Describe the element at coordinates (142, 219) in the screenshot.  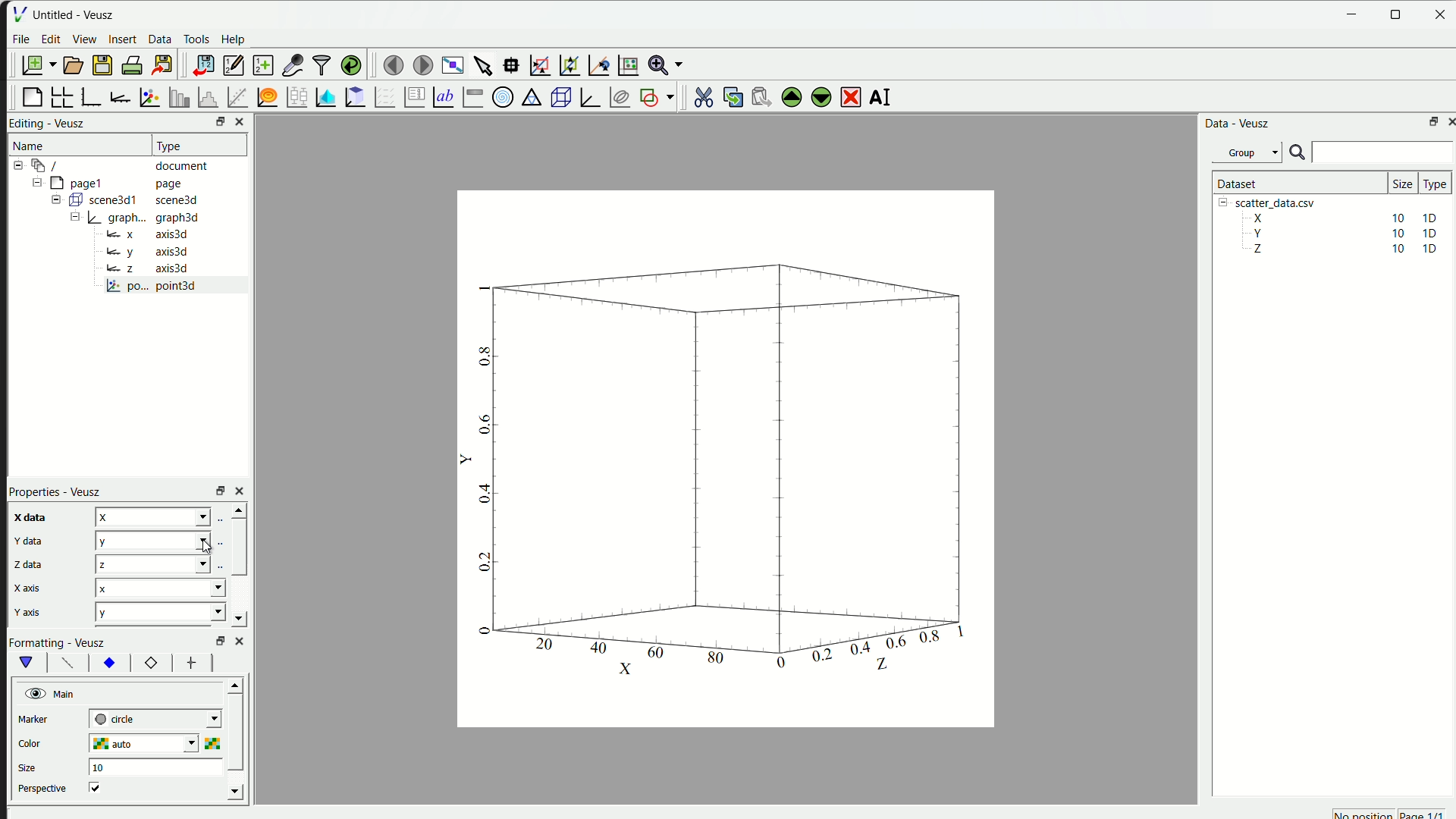
I see `= | graph... graph3d` at that location.